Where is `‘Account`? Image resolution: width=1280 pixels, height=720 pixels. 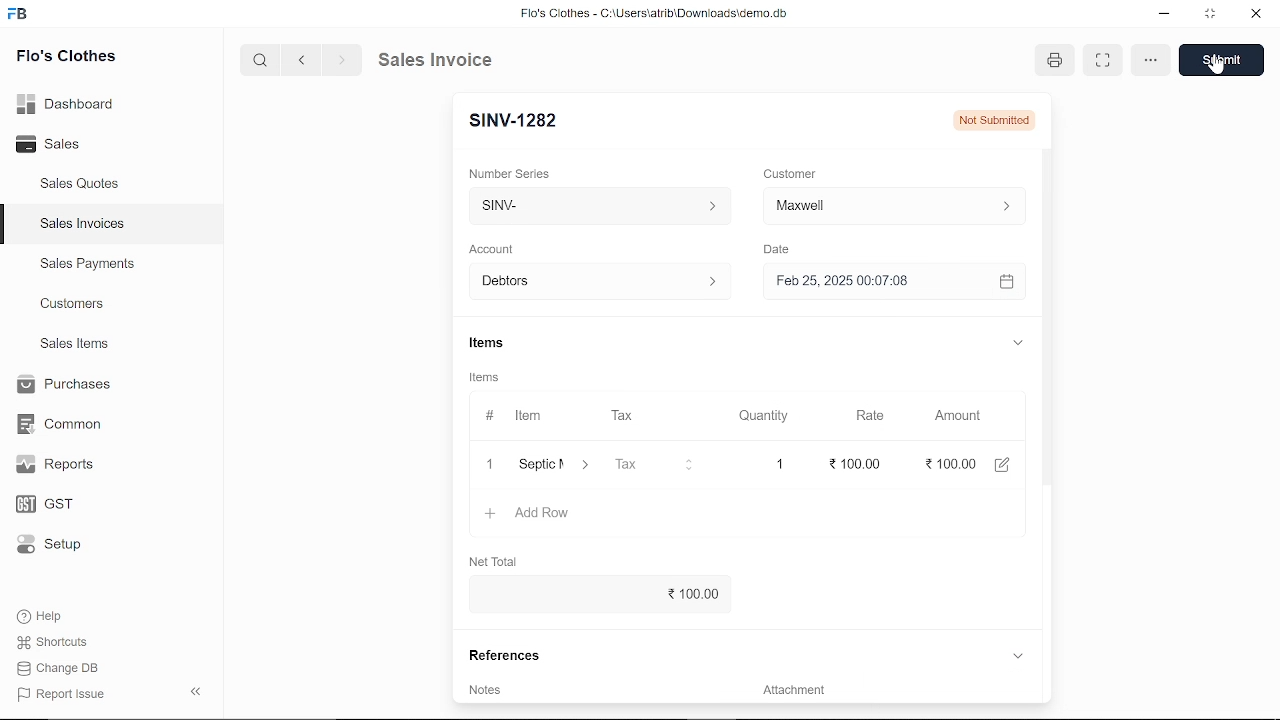
‘Account is located at coordinates (491, 248).